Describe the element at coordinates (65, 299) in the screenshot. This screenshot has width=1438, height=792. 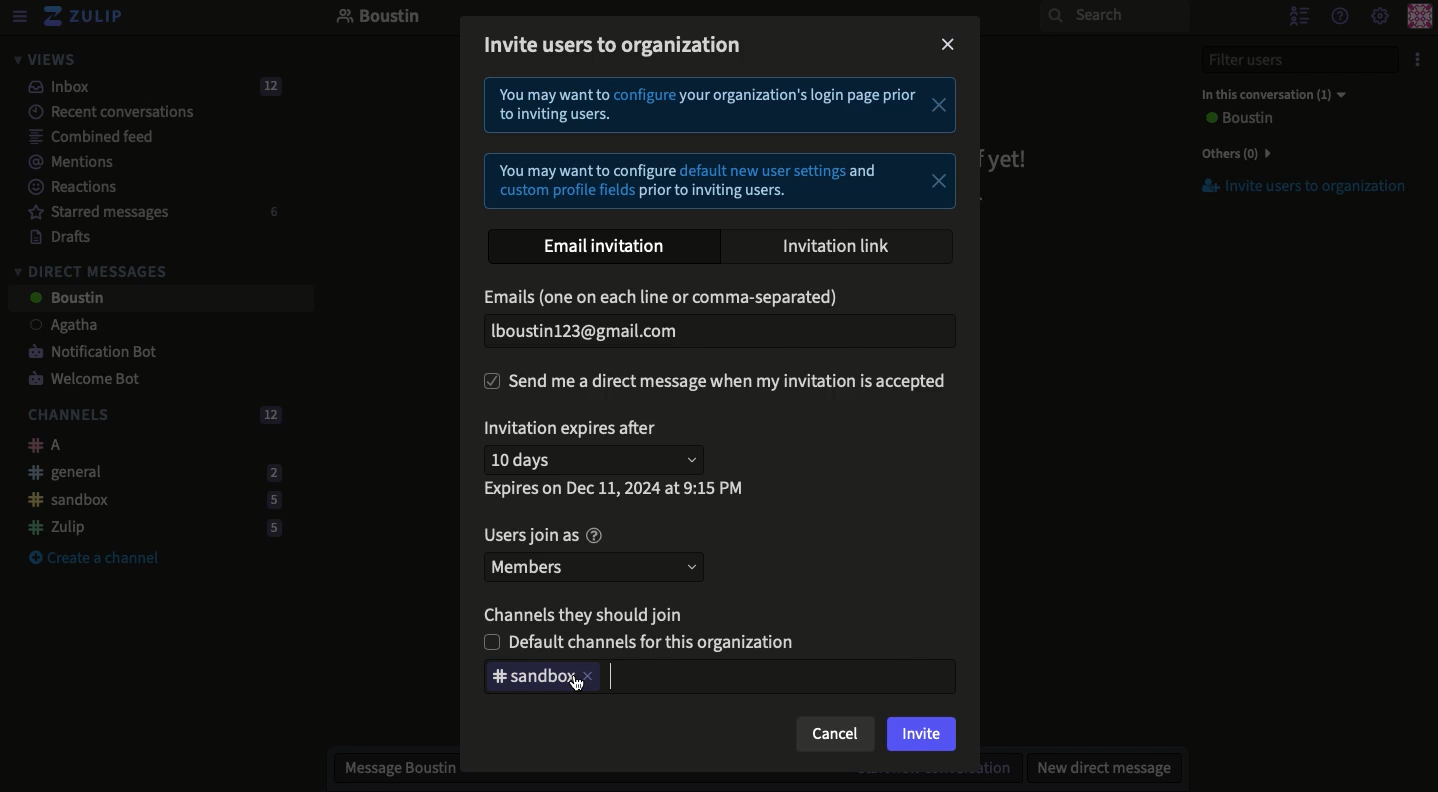
I see `User 2` at that location.